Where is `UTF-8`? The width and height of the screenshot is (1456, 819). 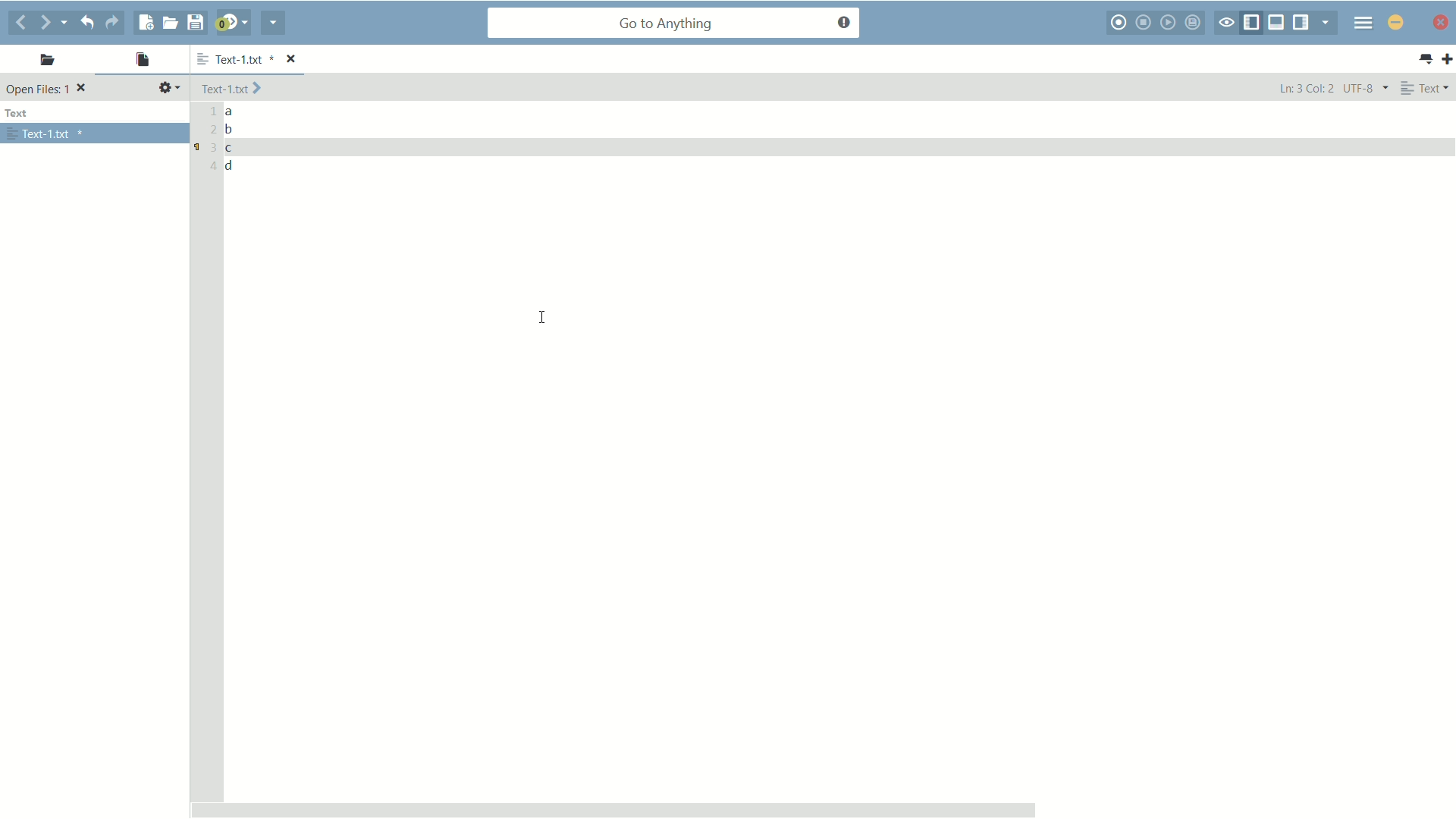 UTF-8 is located at coordinates (1364, 88).